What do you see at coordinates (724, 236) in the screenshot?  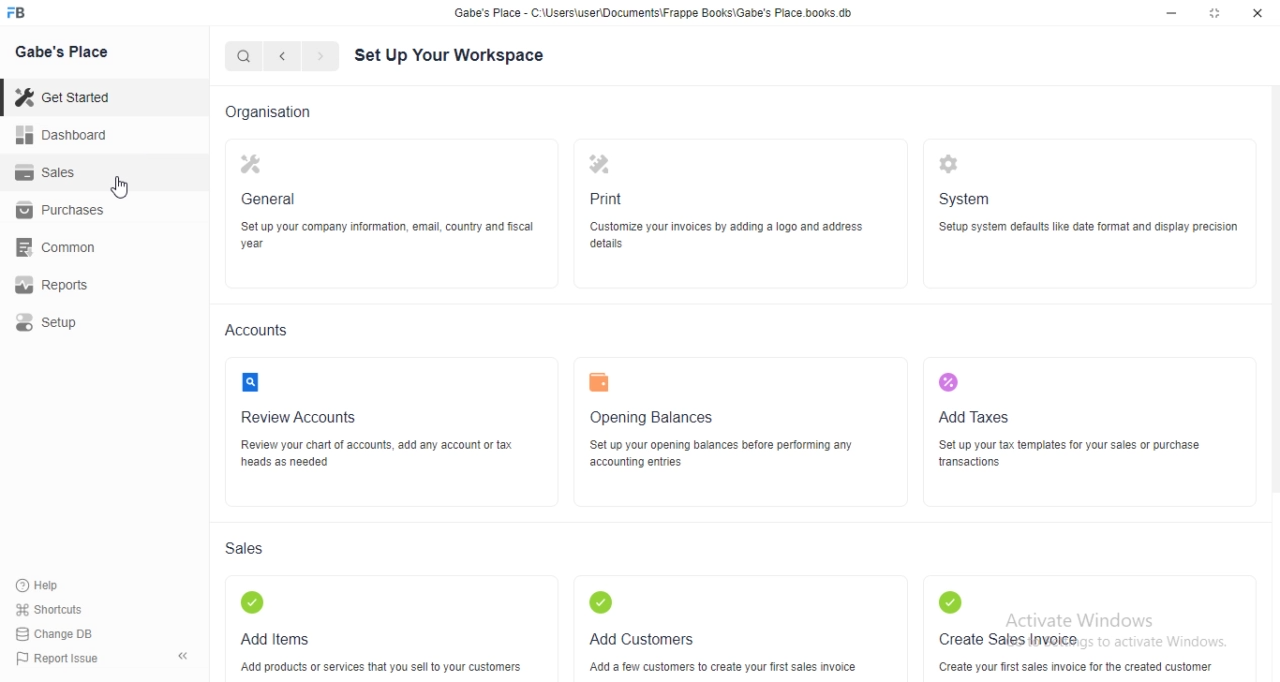 I see `(Customize your invoices by adding & logo and address
details` at bounding box center [724, 236].